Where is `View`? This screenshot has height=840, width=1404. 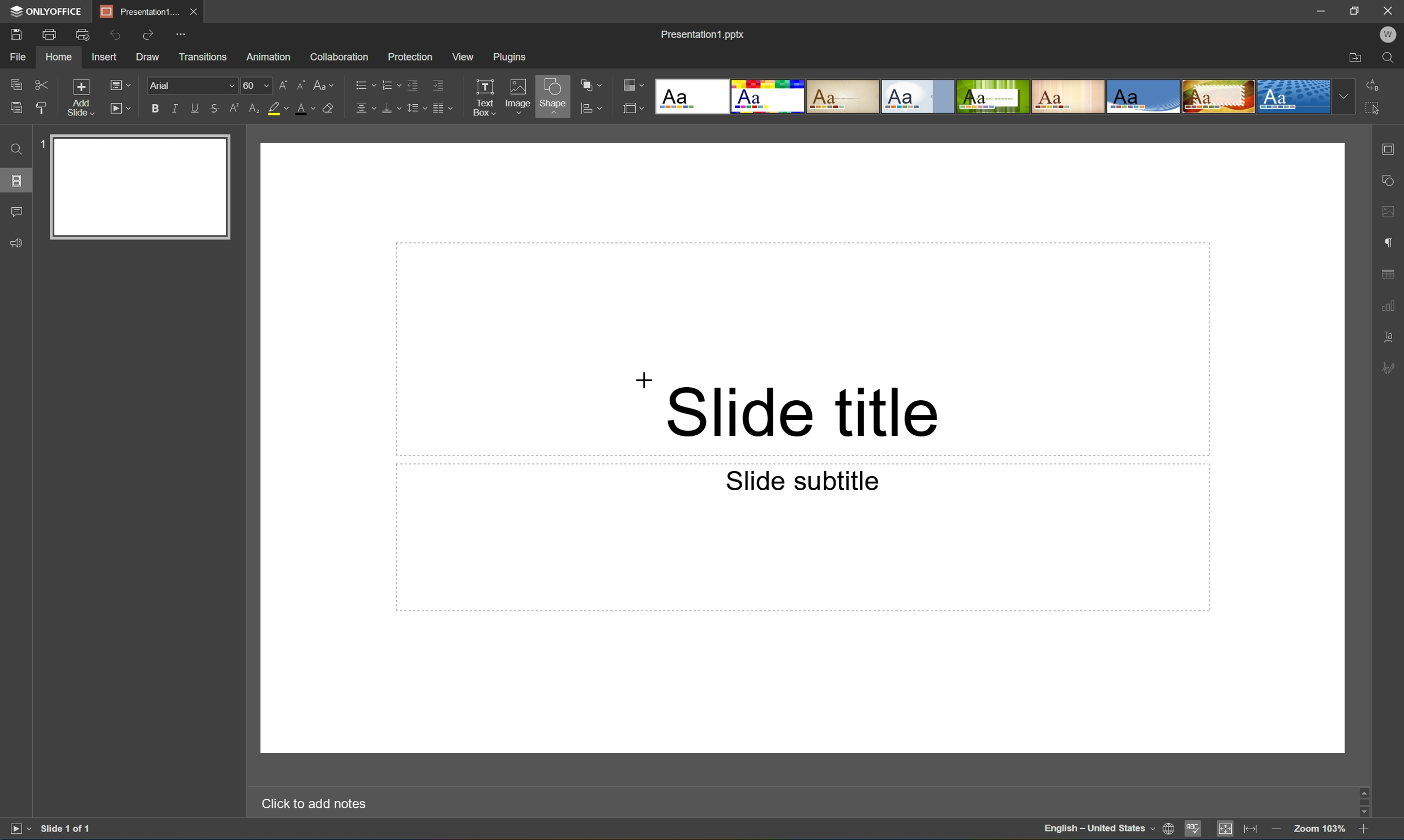 View is located at coordinates (461, 55).